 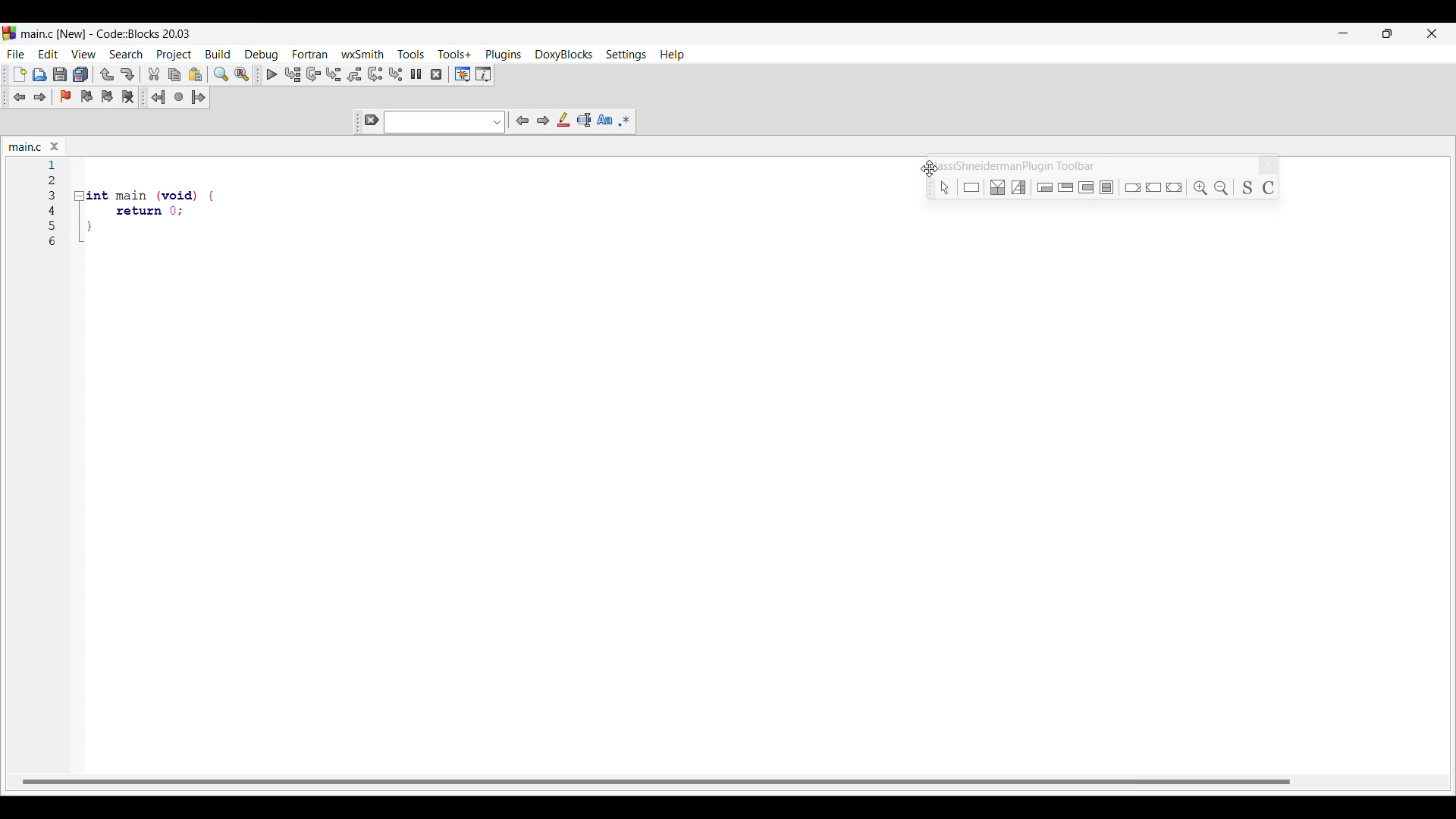 What do you see at coordinates (503, 55) in the screenshot?
I see `Plugins menu` at bounding box center [503, 55].